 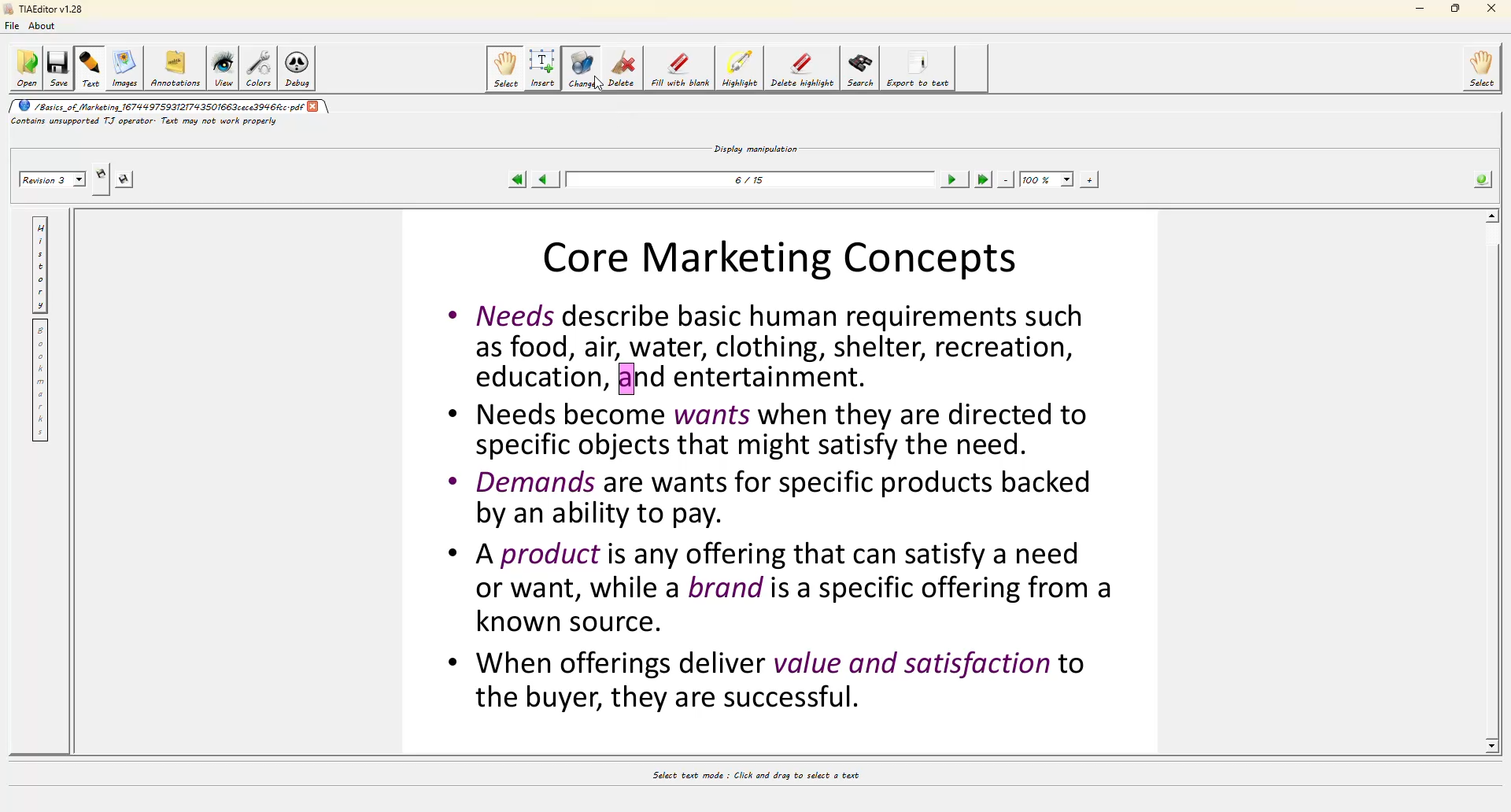 What do you see at coordinates (91, 68) in the screenshot?
I see `text` at bounding box center [91, 68].